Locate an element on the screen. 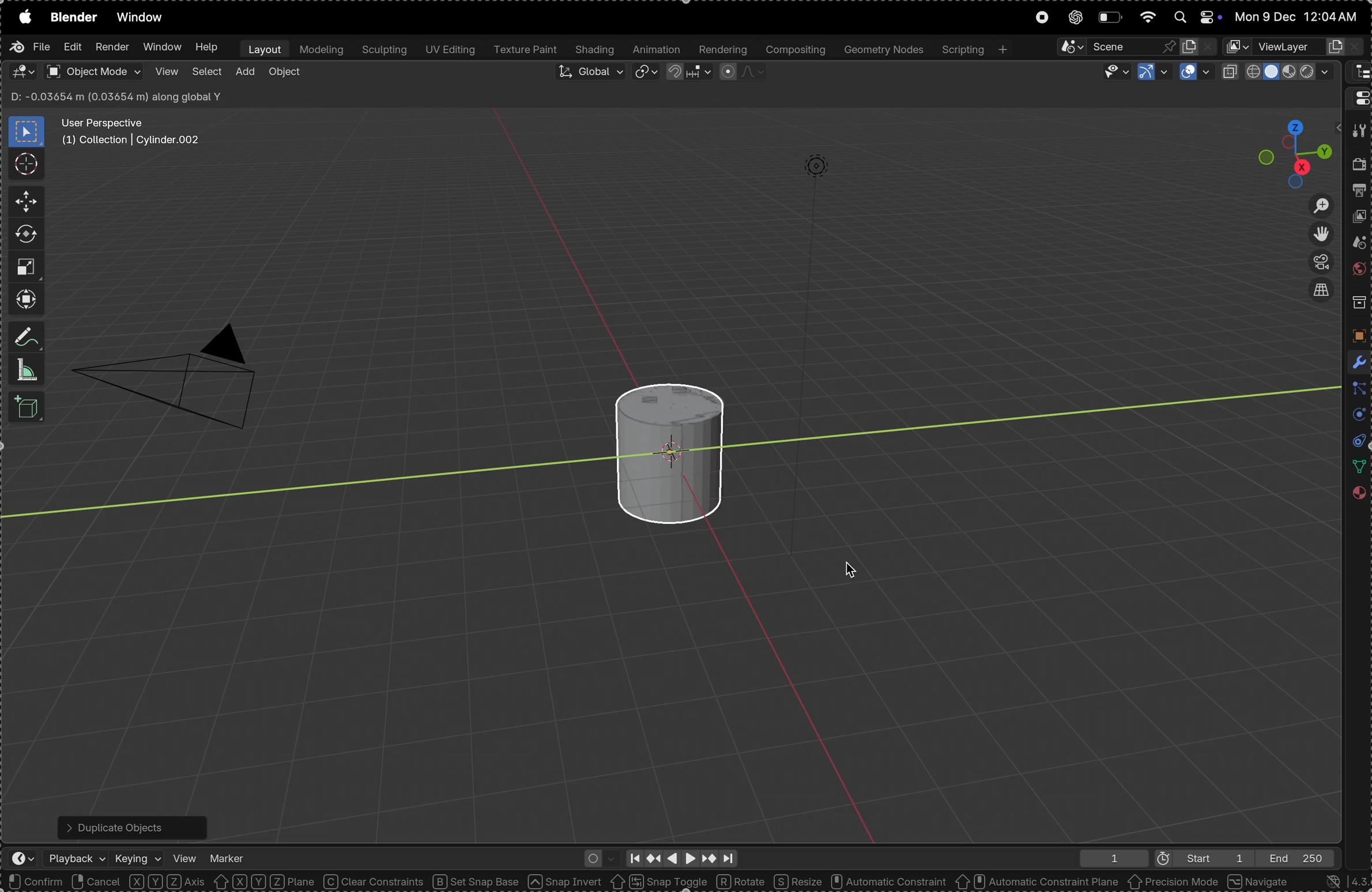 The image size is (1372, 892). objects is located at coordinates (1356, 335).